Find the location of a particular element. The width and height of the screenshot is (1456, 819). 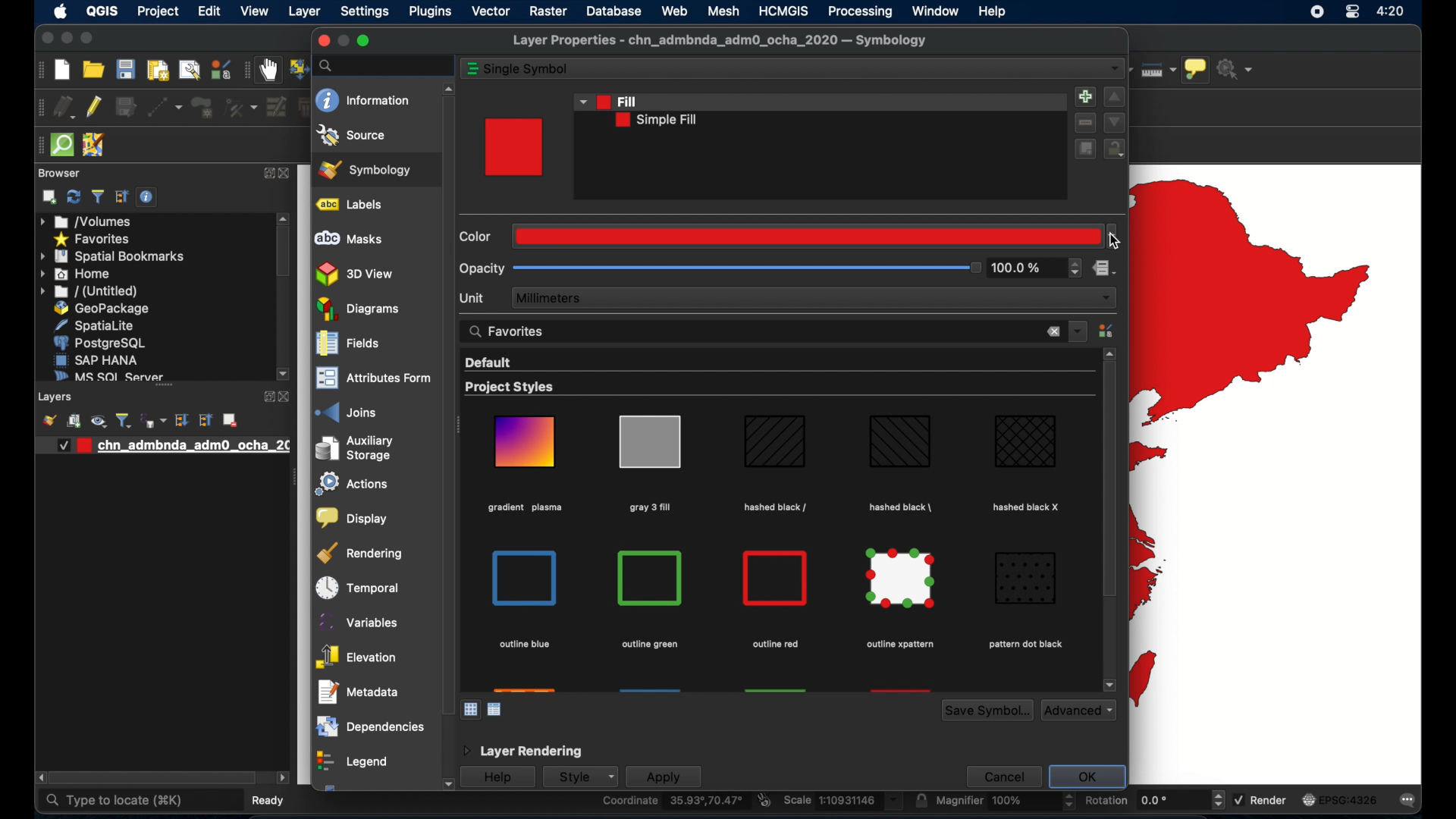

pattern dot black is located at coordinates (1025, 645).